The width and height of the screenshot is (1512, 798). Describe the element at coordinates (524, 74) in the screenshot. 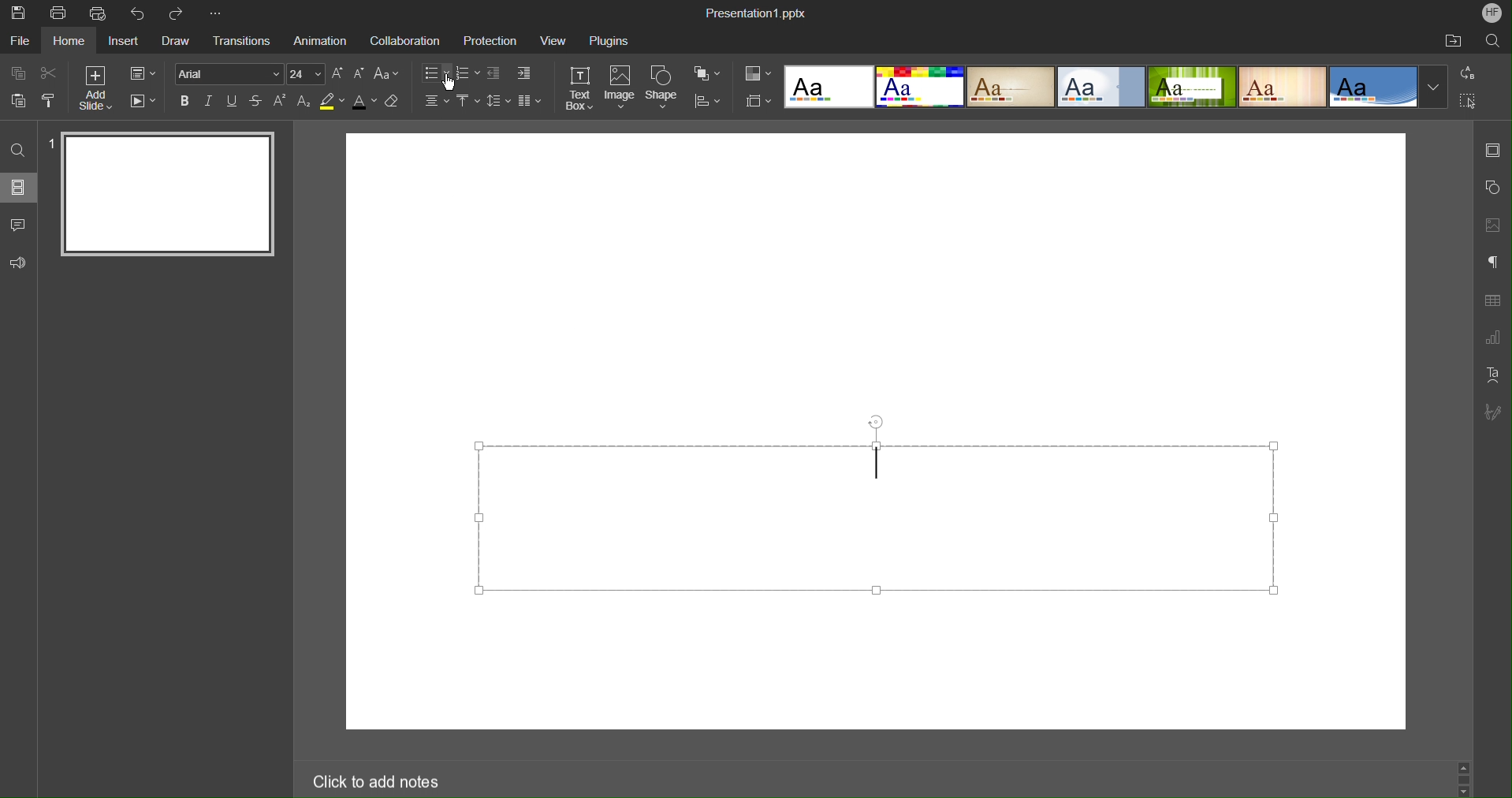

I see `Decrease Indent` at that location.